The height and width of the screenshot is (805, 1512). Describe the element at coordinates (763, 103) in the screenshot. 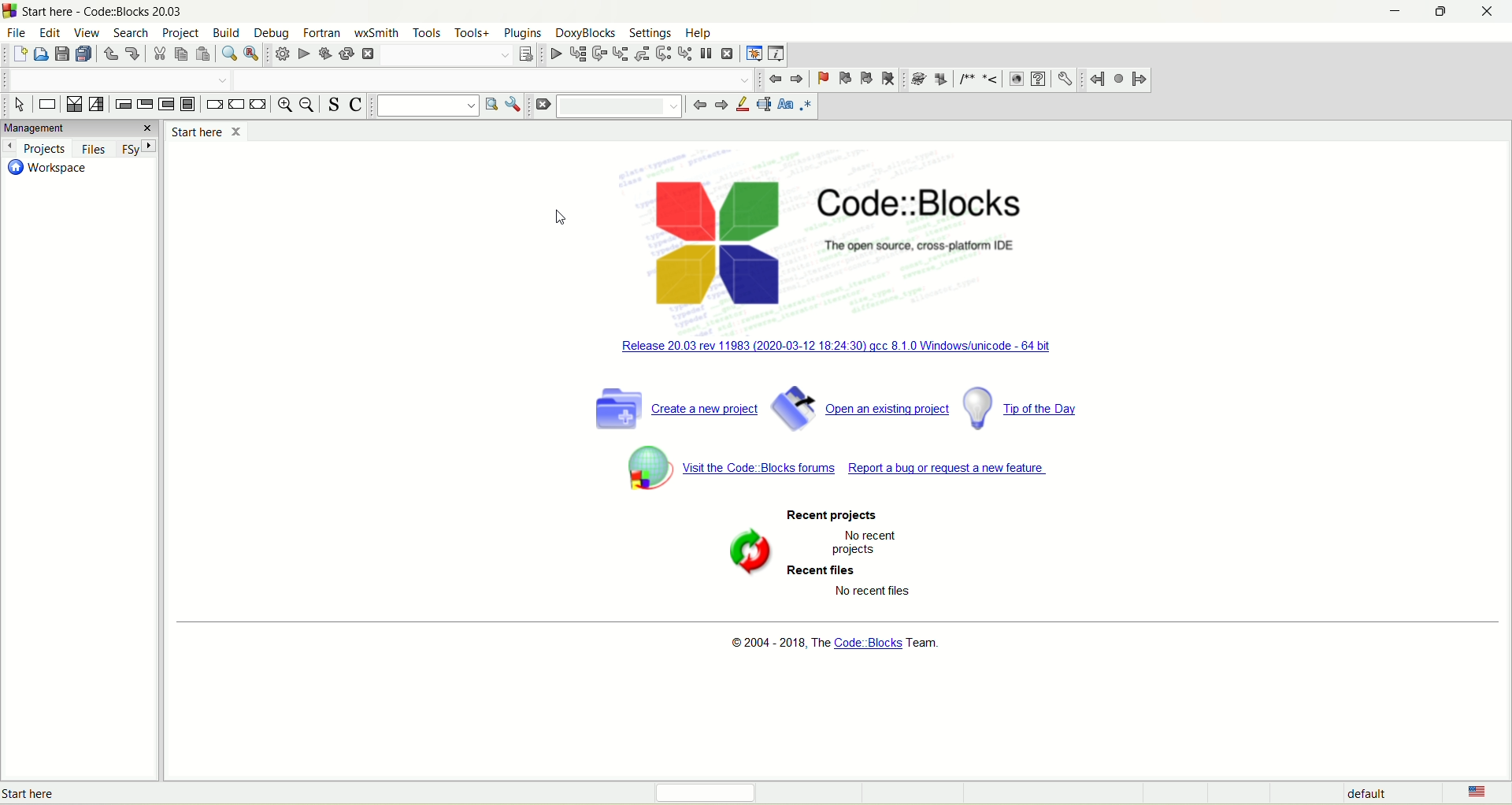

I see `selected text` at that location.